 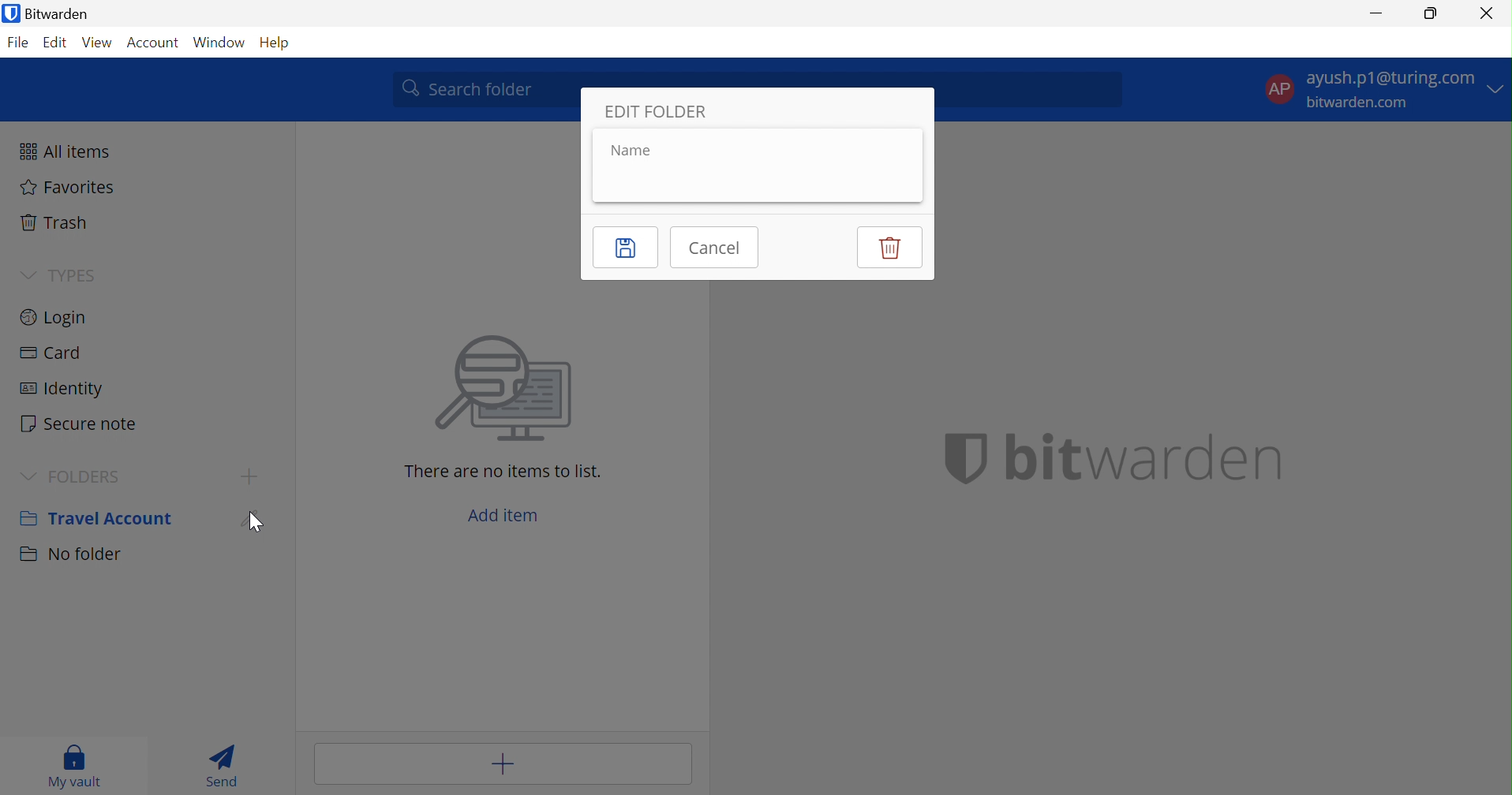 What do you see at coordinates (83, 422) in the screenshot?
I see `Secure note` at bounding box center [83, 422].